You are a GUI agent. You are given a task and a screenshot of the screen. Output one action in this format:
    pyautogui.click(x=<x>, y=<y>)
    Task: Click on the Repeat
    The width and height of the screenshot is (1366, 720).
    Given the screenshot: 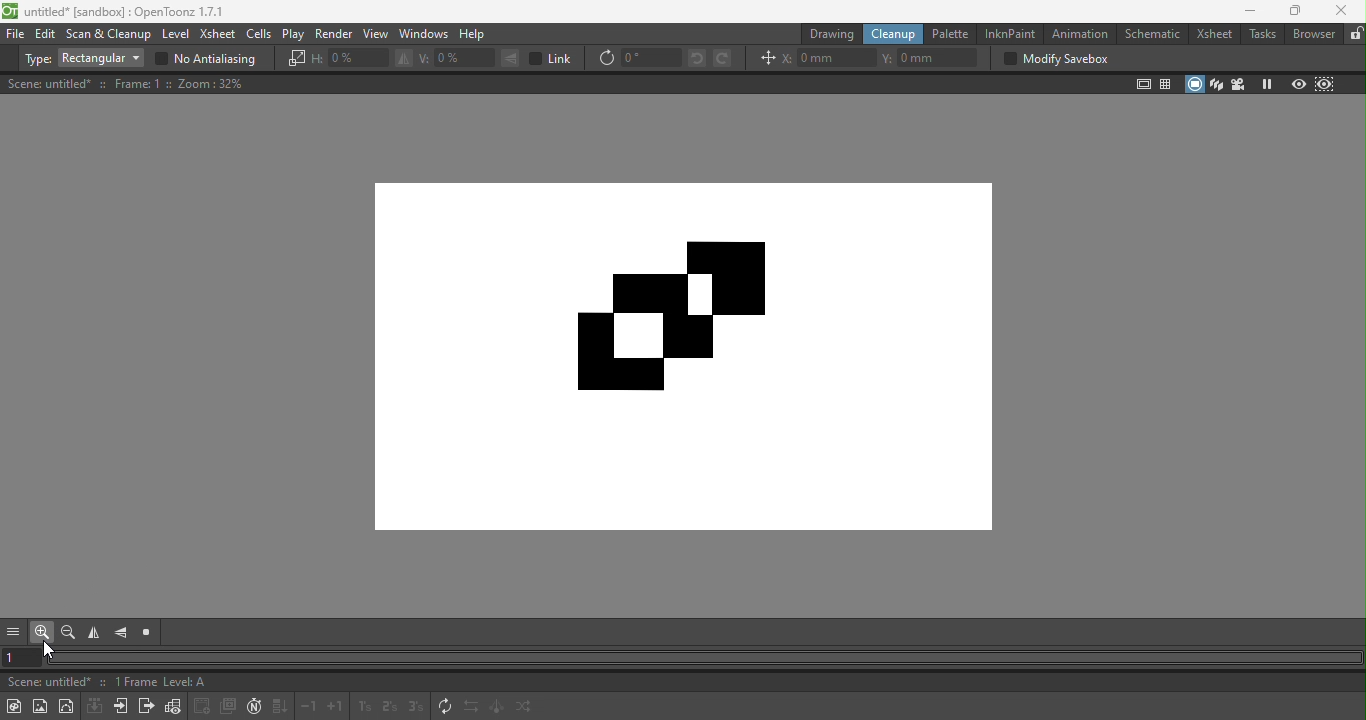 What is the action you would take?
    pyautogui.click(x=442, y=707)
    